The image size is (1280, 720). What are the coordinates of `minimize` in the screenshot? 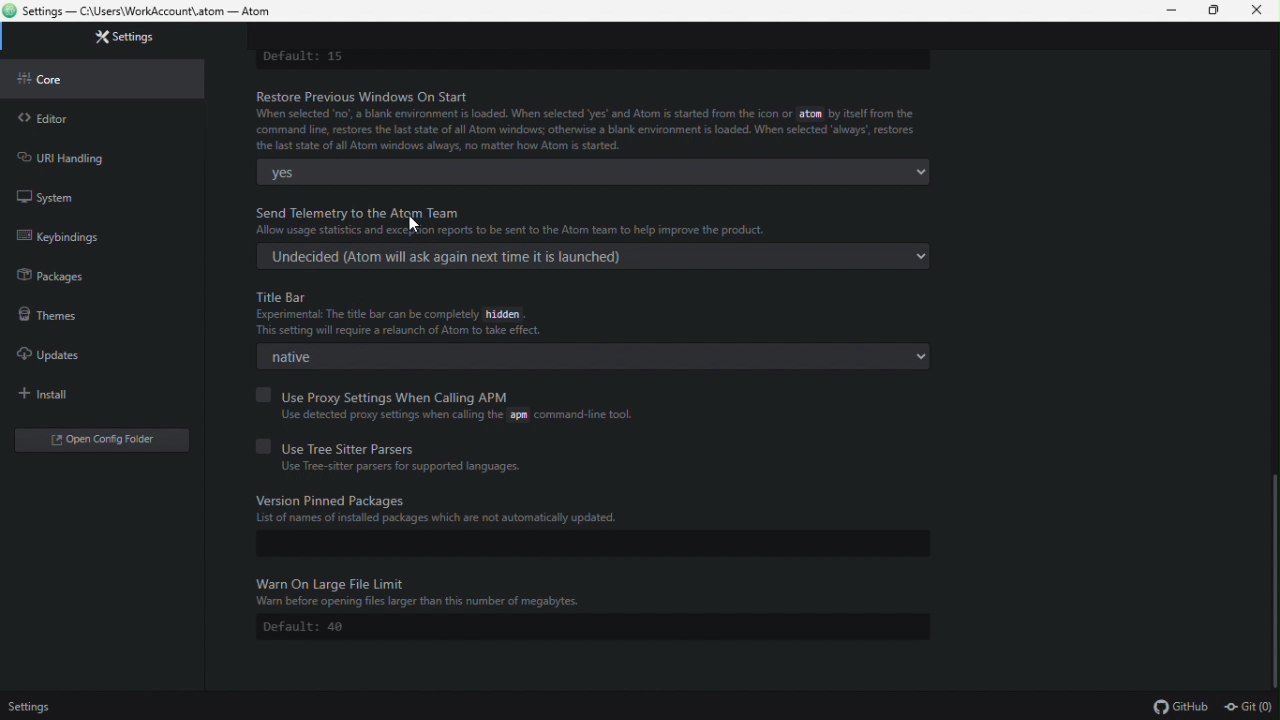 It's located at (1174, 11).